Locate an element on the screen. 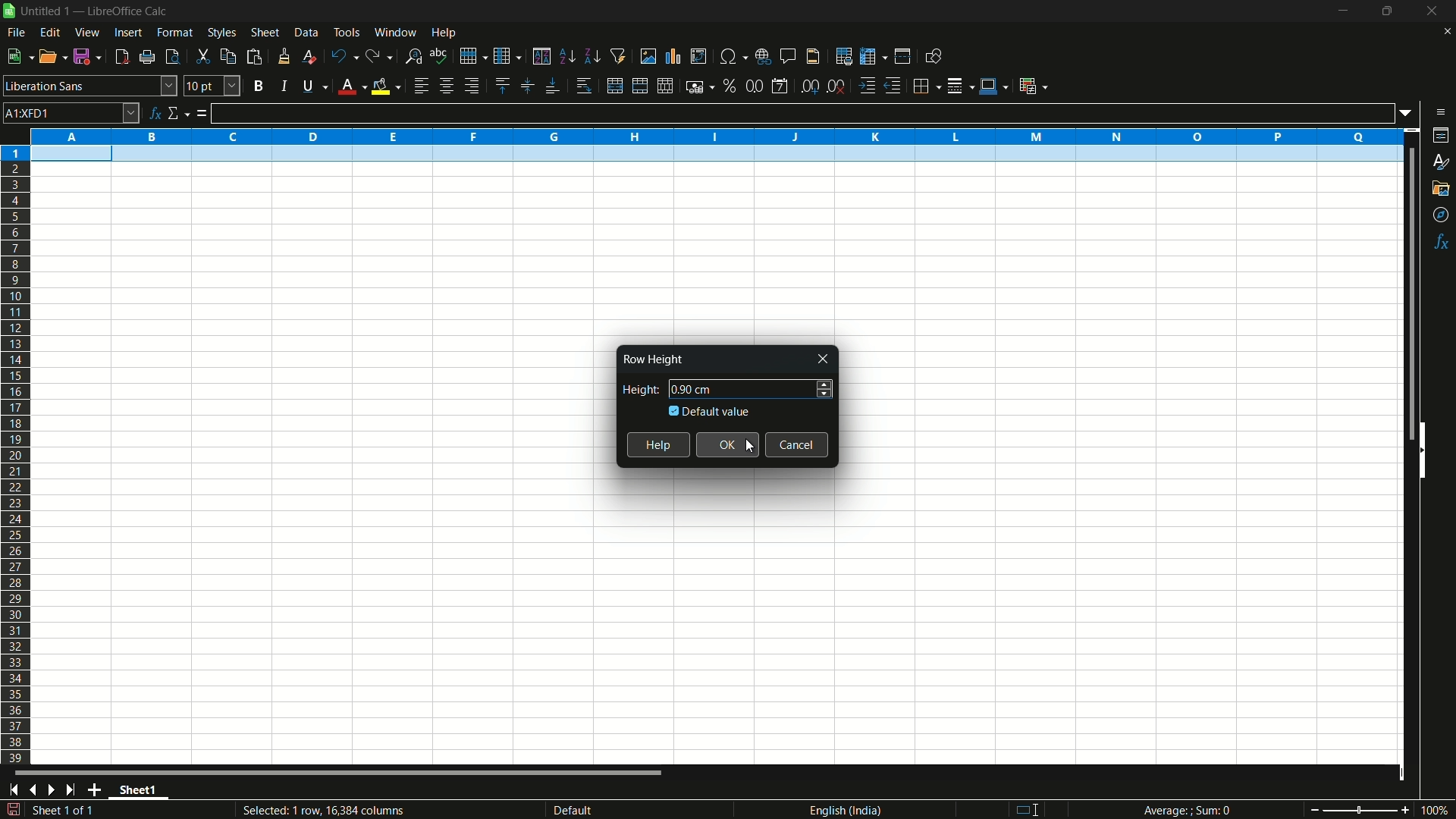 This screenshot has height=819, width=1456. window menu is located at coordinates (395, 32).